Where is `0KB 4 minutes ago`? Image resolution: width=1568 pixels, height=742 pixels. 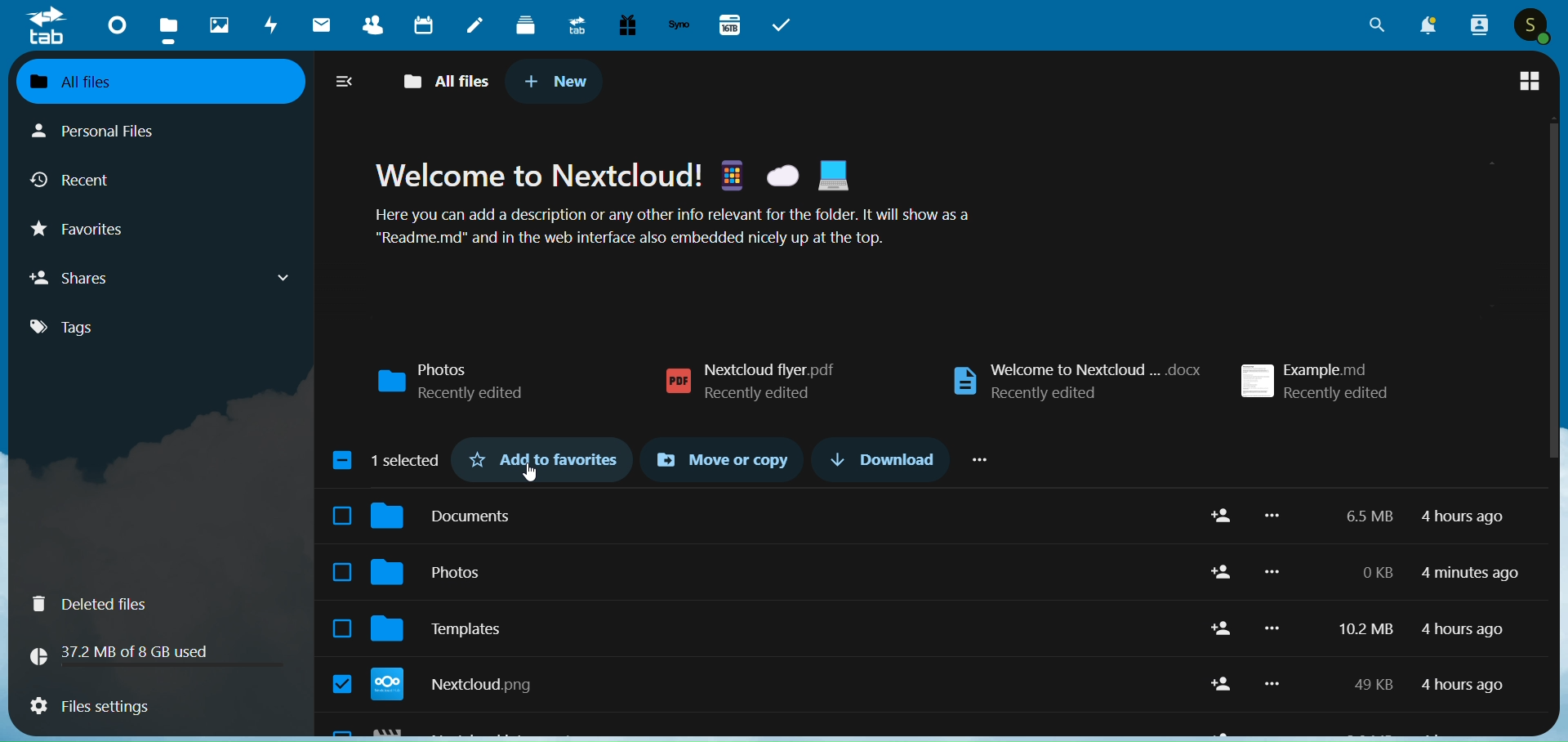
0KB 4 minutes ago is located at coordinates (1438, 573).